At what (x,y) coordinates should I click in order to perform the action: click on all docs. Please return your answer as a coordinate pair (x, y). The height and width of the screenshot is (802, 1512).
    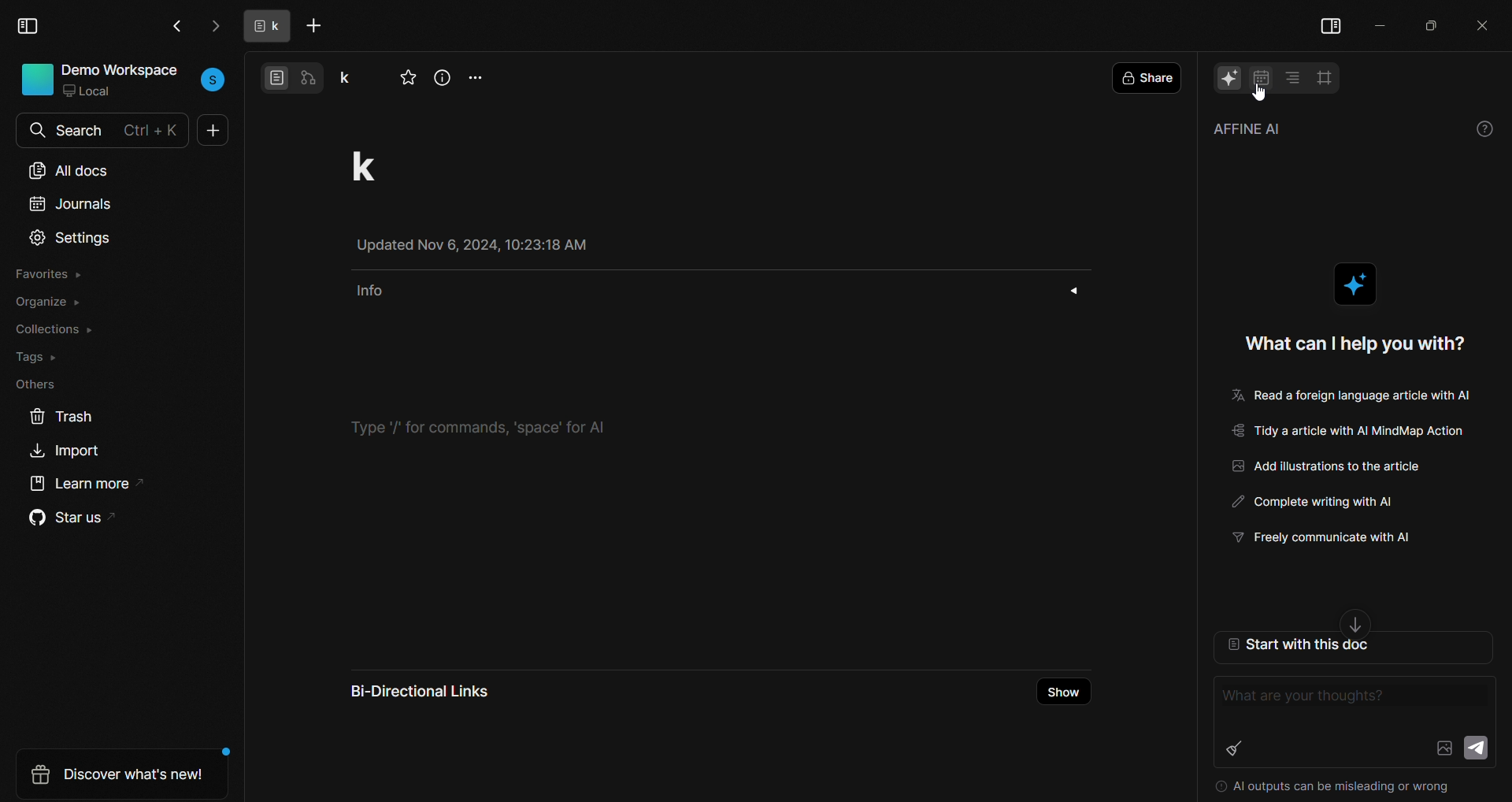
    Looking at the image, I should click on (69, 167).